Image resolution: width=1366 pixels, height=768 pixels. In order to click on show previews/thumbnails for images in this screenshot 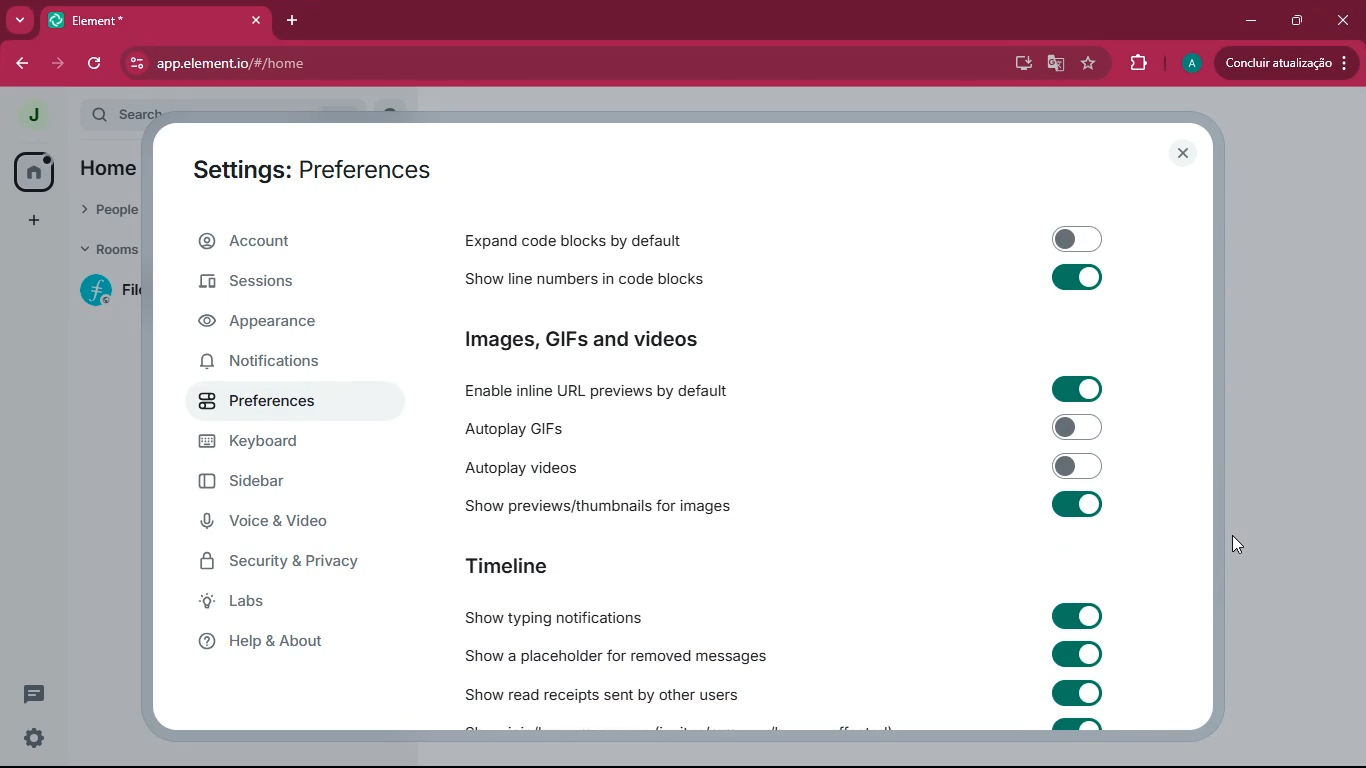, I will do `click(605, 506)`.